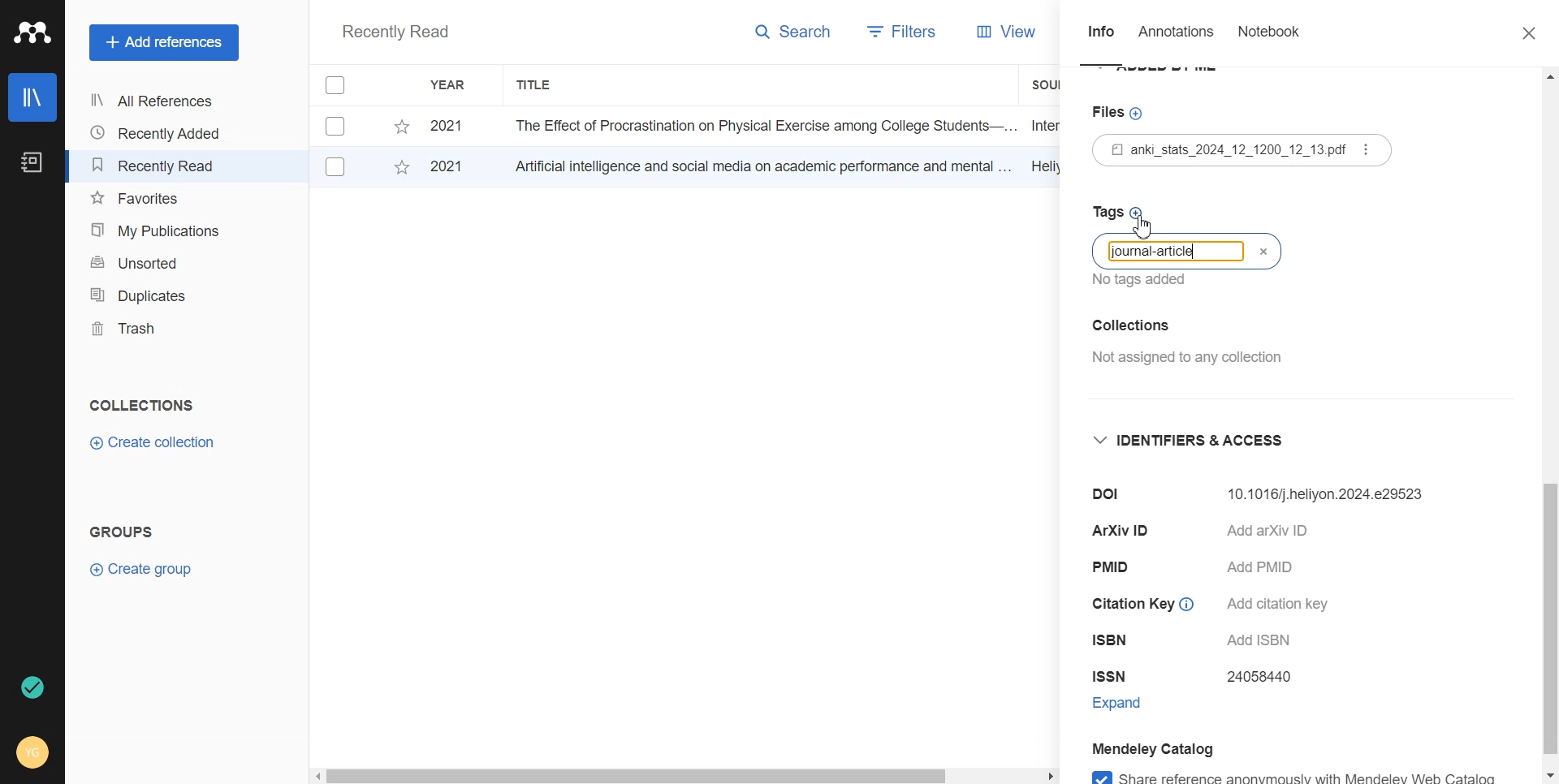 This screenshot has height=784, width=1559. Describe the element at coordinates (760, 166) in the screenshot. I see `Artificial intelligence and social media on academic performance and mental ...` at that location.